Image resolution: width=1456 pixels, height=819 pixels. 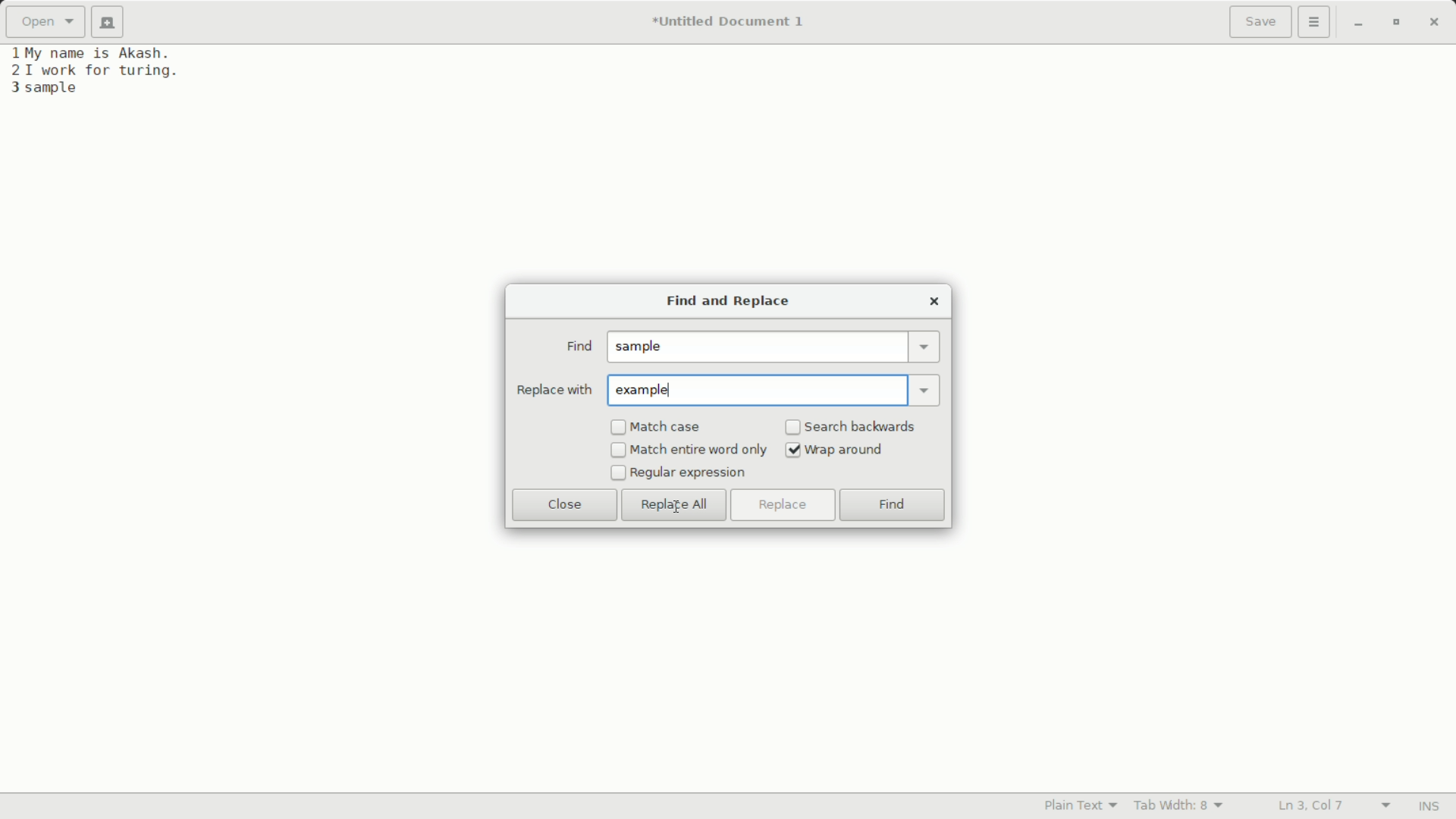 What do you see at coordinates (699, 450) in the screenshot?
I see `match entire word only` at bounding box center [699, 450].